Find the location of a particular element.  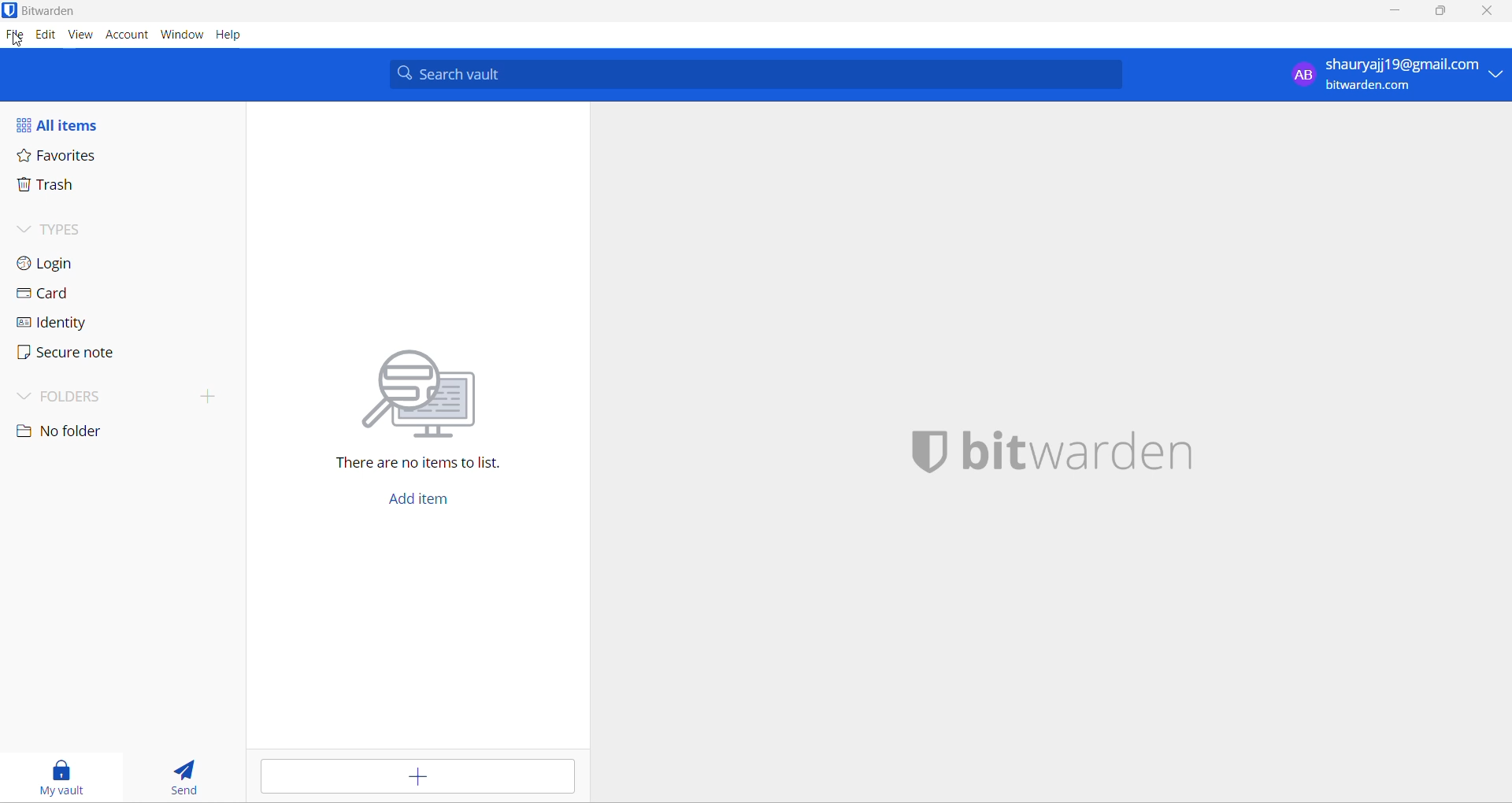

edit is located at coordinates (46, 35).